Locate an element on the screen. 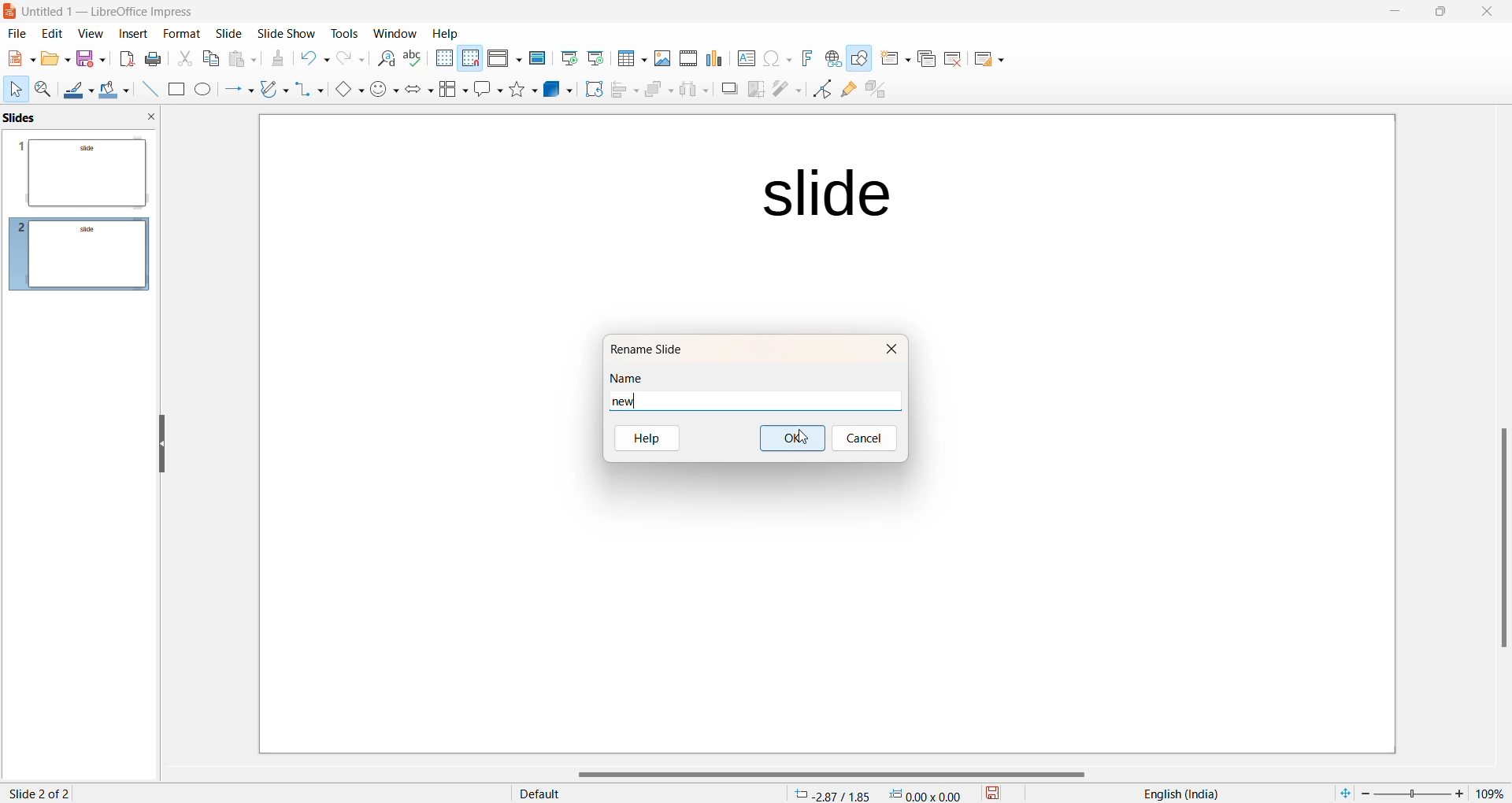 The height and width of the screenshot is (803, 1512). Line is located at coordinates (145, 90).